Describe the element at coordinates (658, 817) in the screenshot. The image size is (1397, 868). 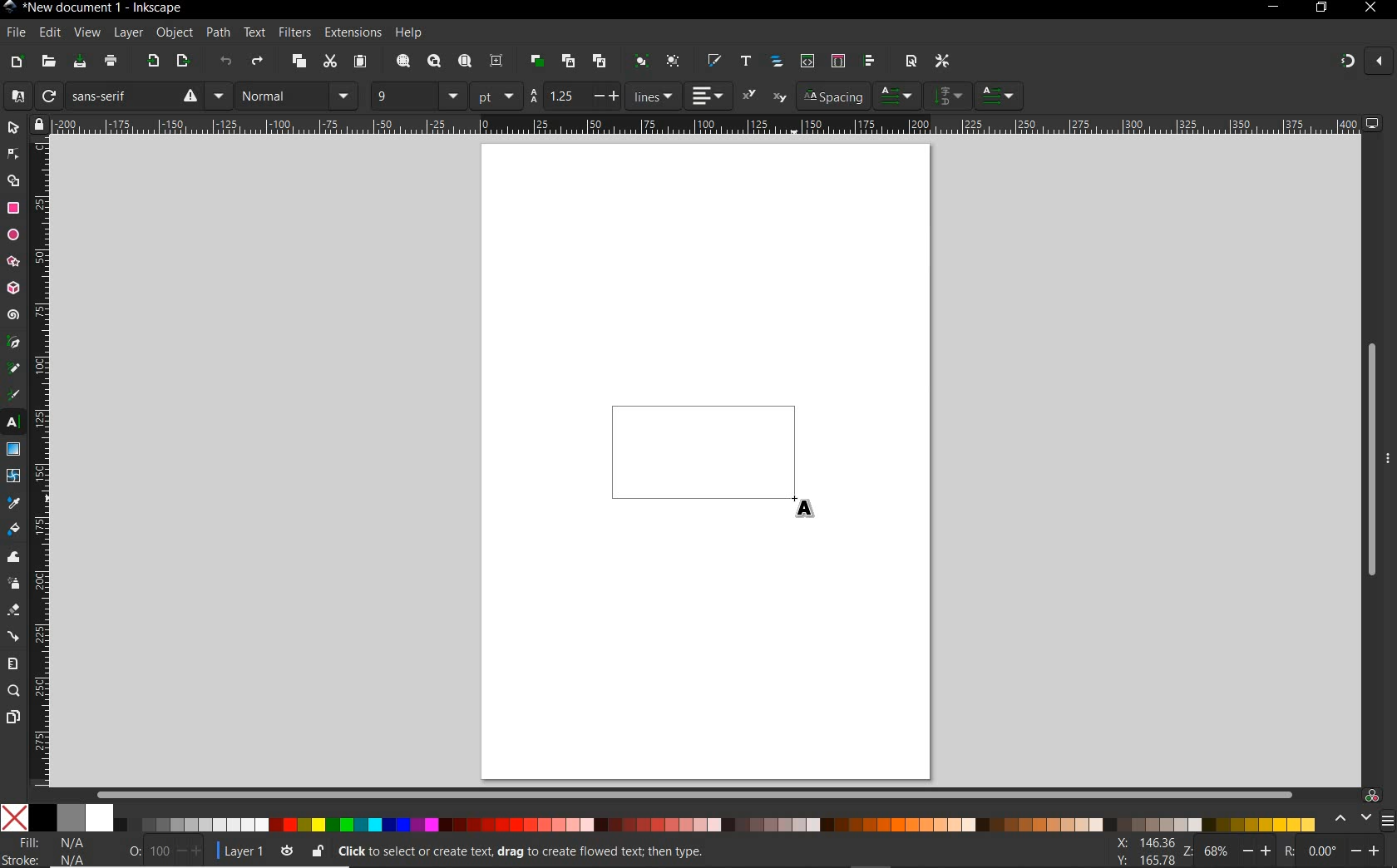
I see `color modes` at that location.